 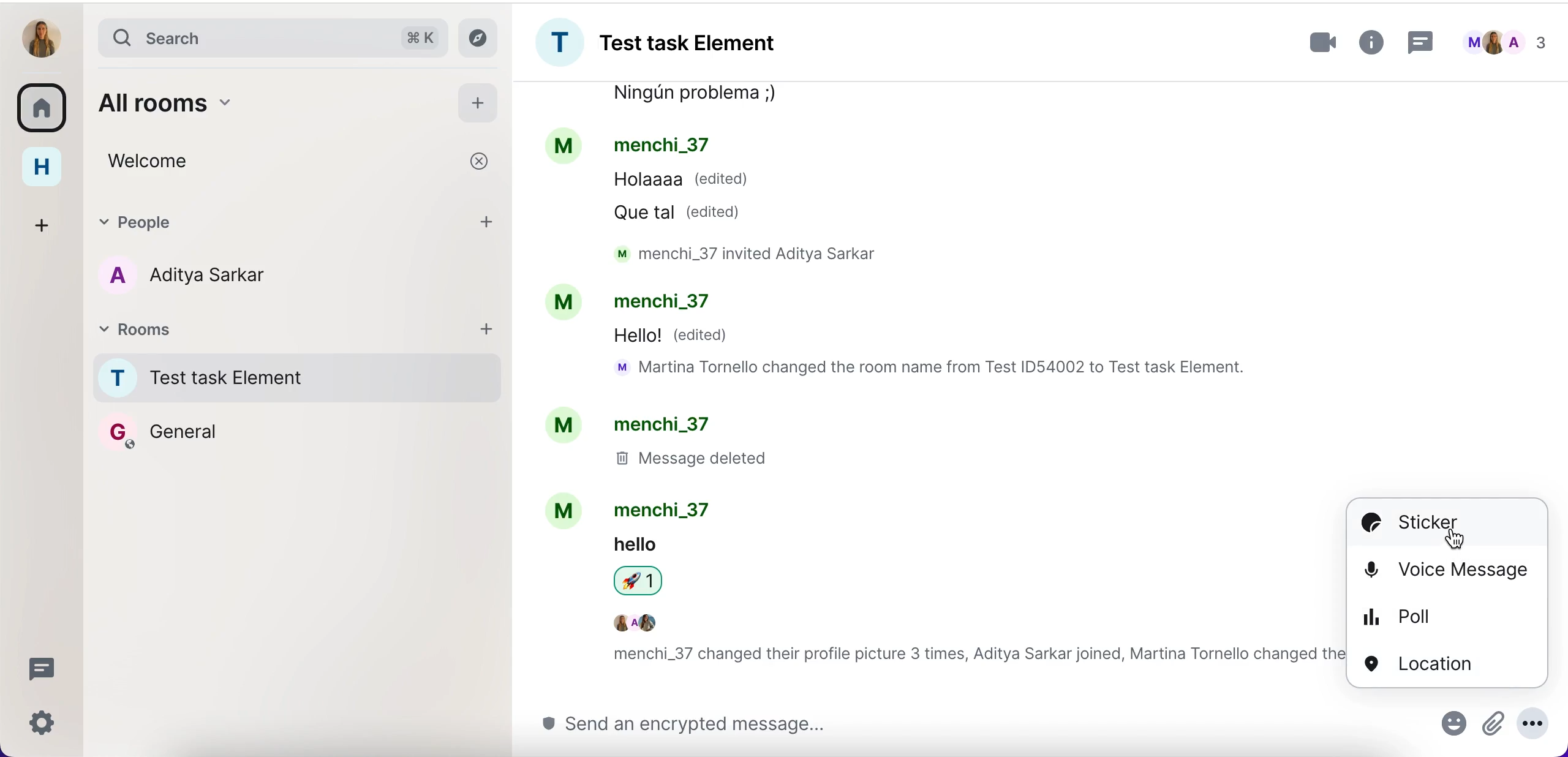 What do you see at coordinates (273, 222) in the screenshot?
I see `people` at bounding box center [273, 222].